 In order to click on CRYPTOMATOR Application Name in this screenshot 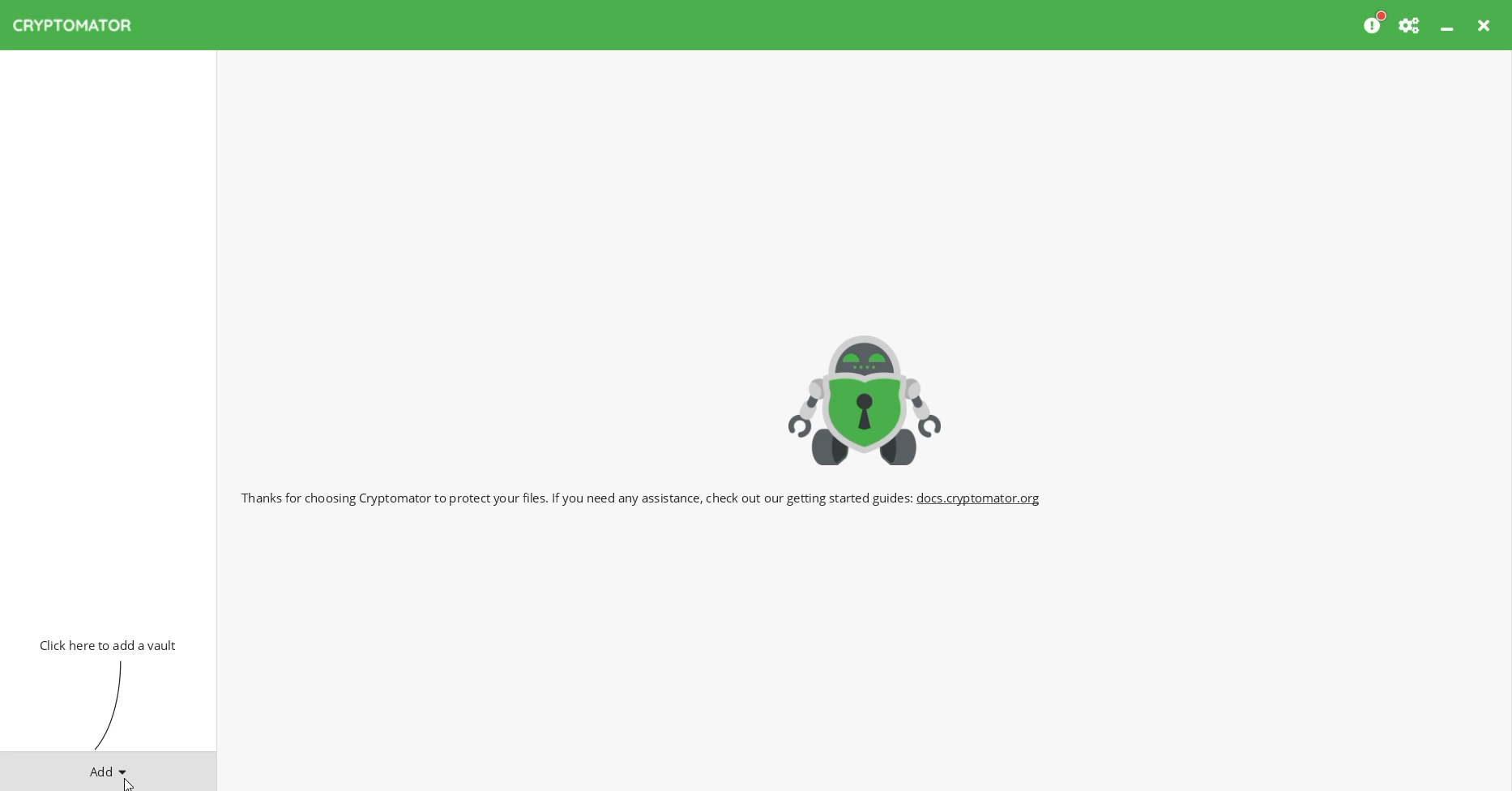, I will do `click(80, 25)`.